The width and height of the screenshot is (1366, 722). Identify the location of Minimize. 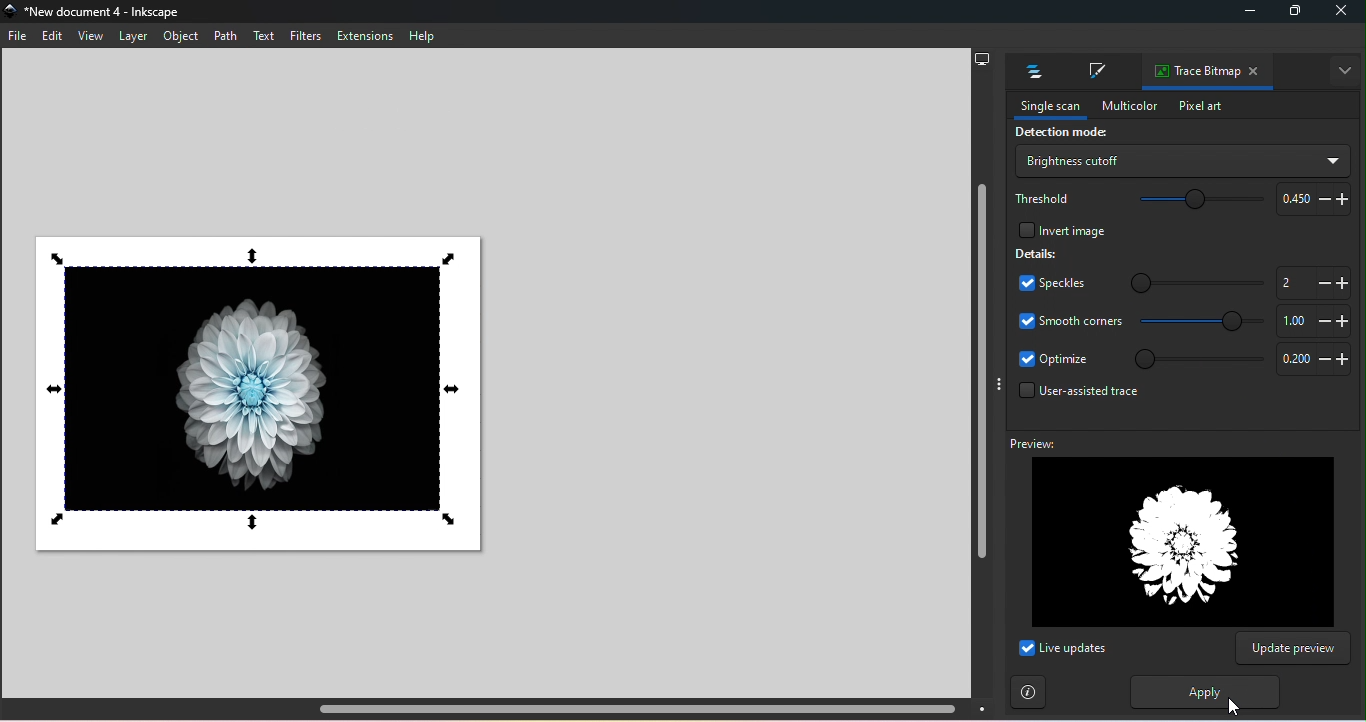
(1246, 14).